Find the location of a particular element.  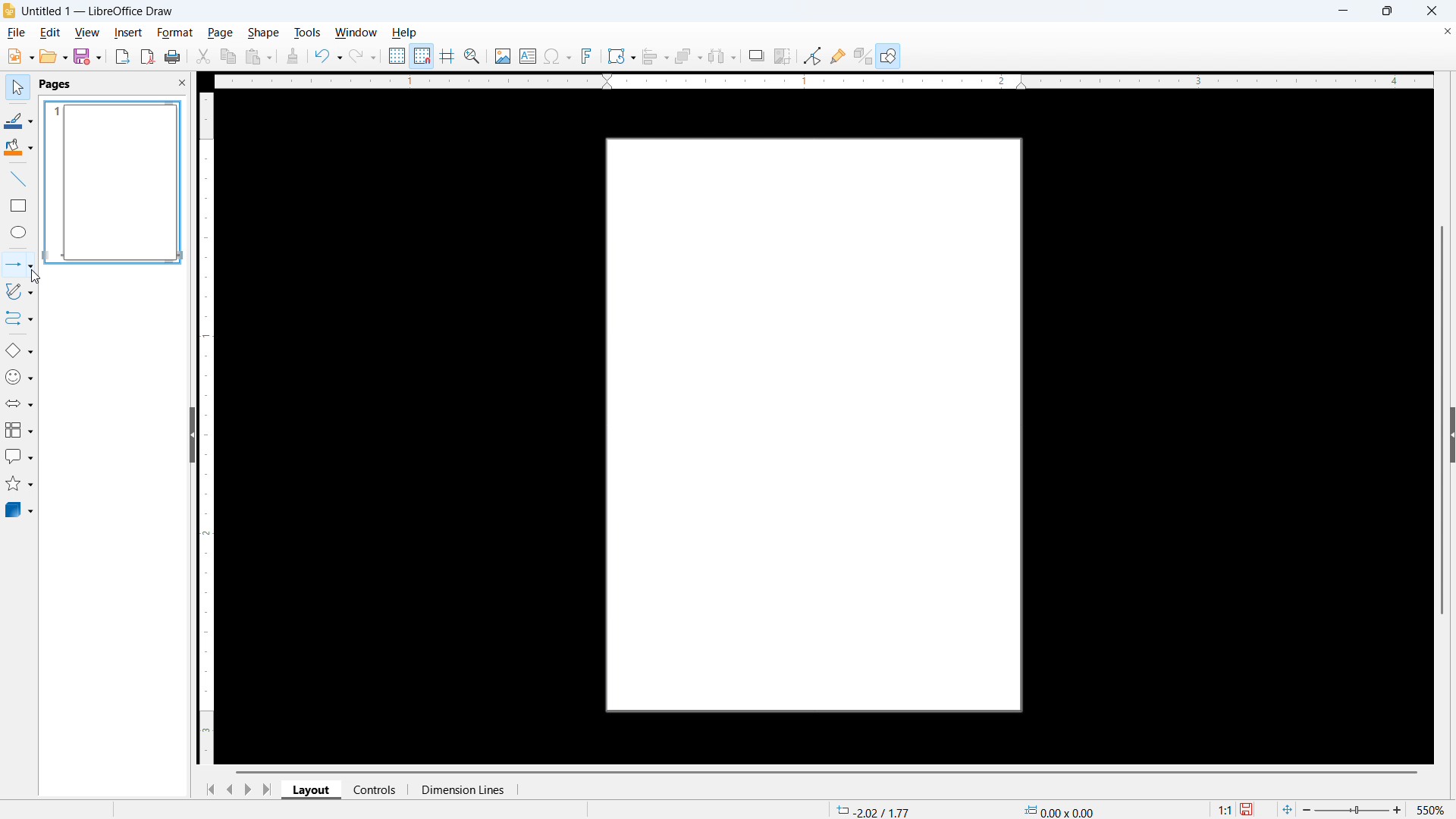

0.00x0.00 is located at coordinates (1059, 810).